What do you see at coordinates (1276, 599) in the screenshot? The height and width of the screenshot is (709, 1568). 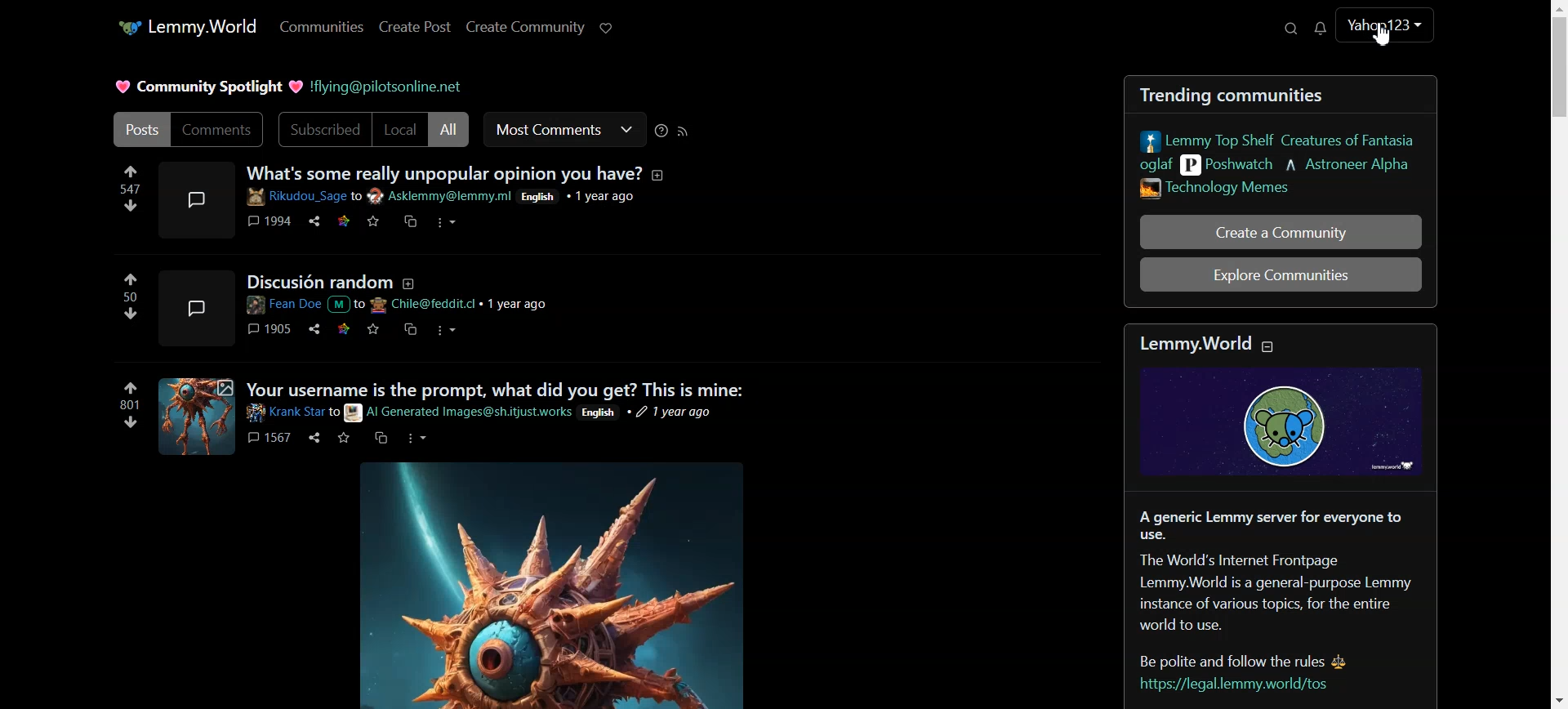 I see `Lemmy server guidelines` at bounding box center [1276, 599].